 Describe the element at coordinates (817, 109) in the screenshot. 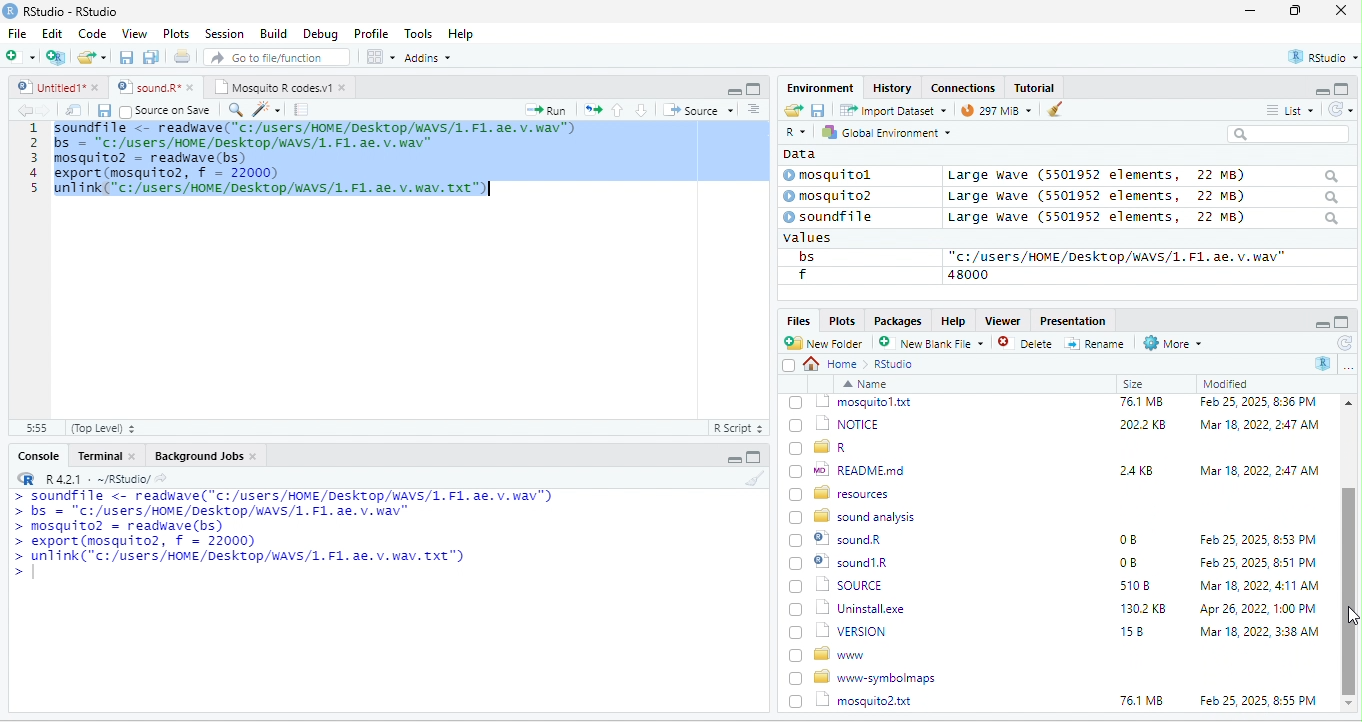

I see `save` at that location.